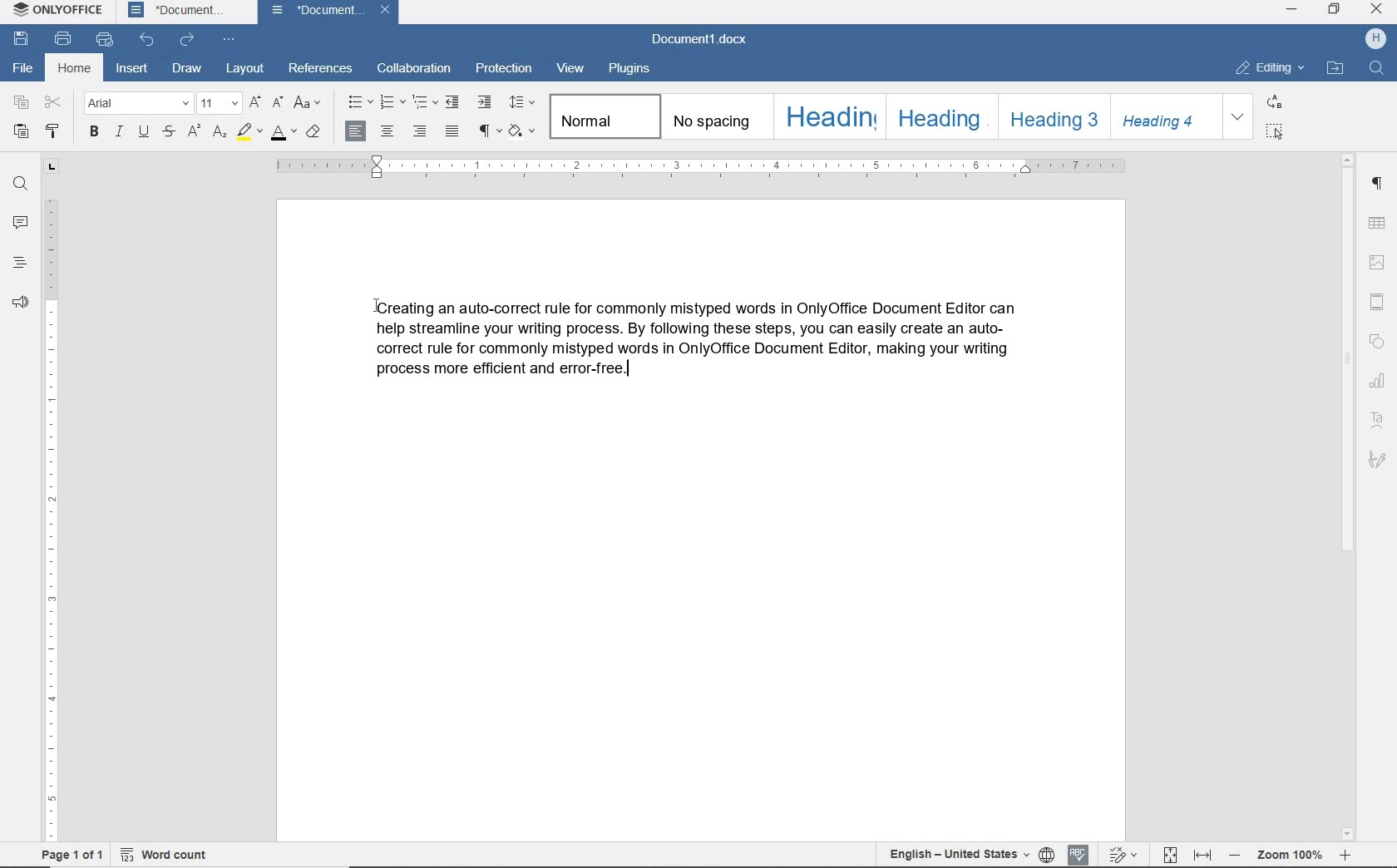 The width and height of the screenshot is (1397, 868). I want to click on highlight color, so click(250, 133).